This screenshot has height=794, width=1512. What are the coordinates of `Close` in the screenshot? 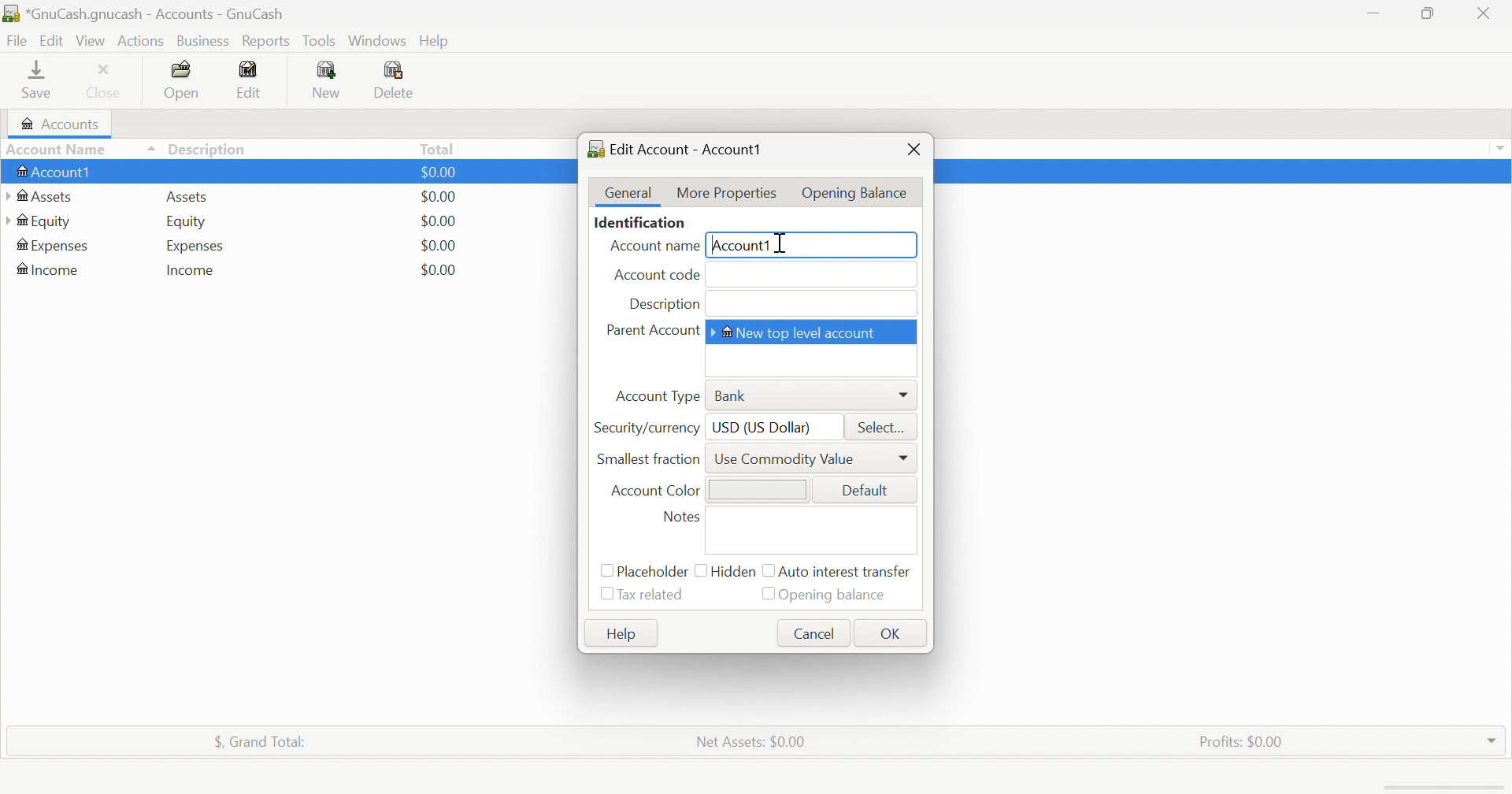 It's located at (913, 148).